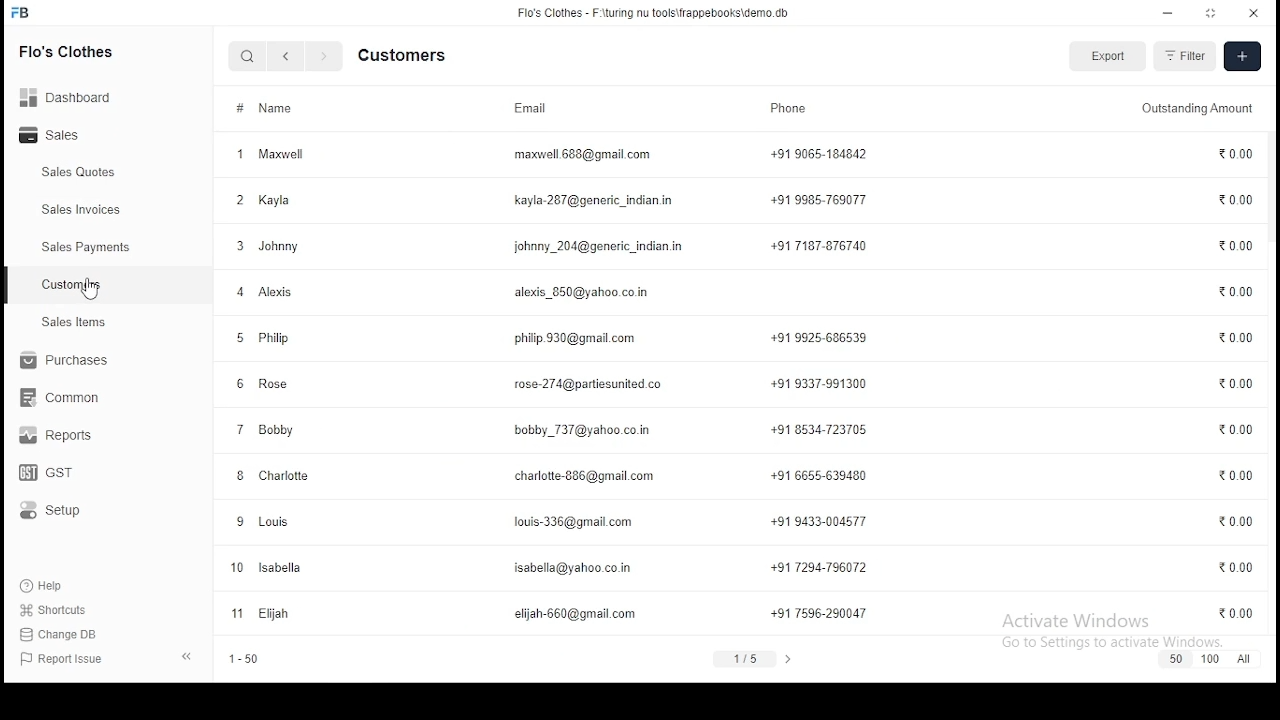  Describe the element at coordinates (1174, 660) in the screenshot. I see `50` at that location.